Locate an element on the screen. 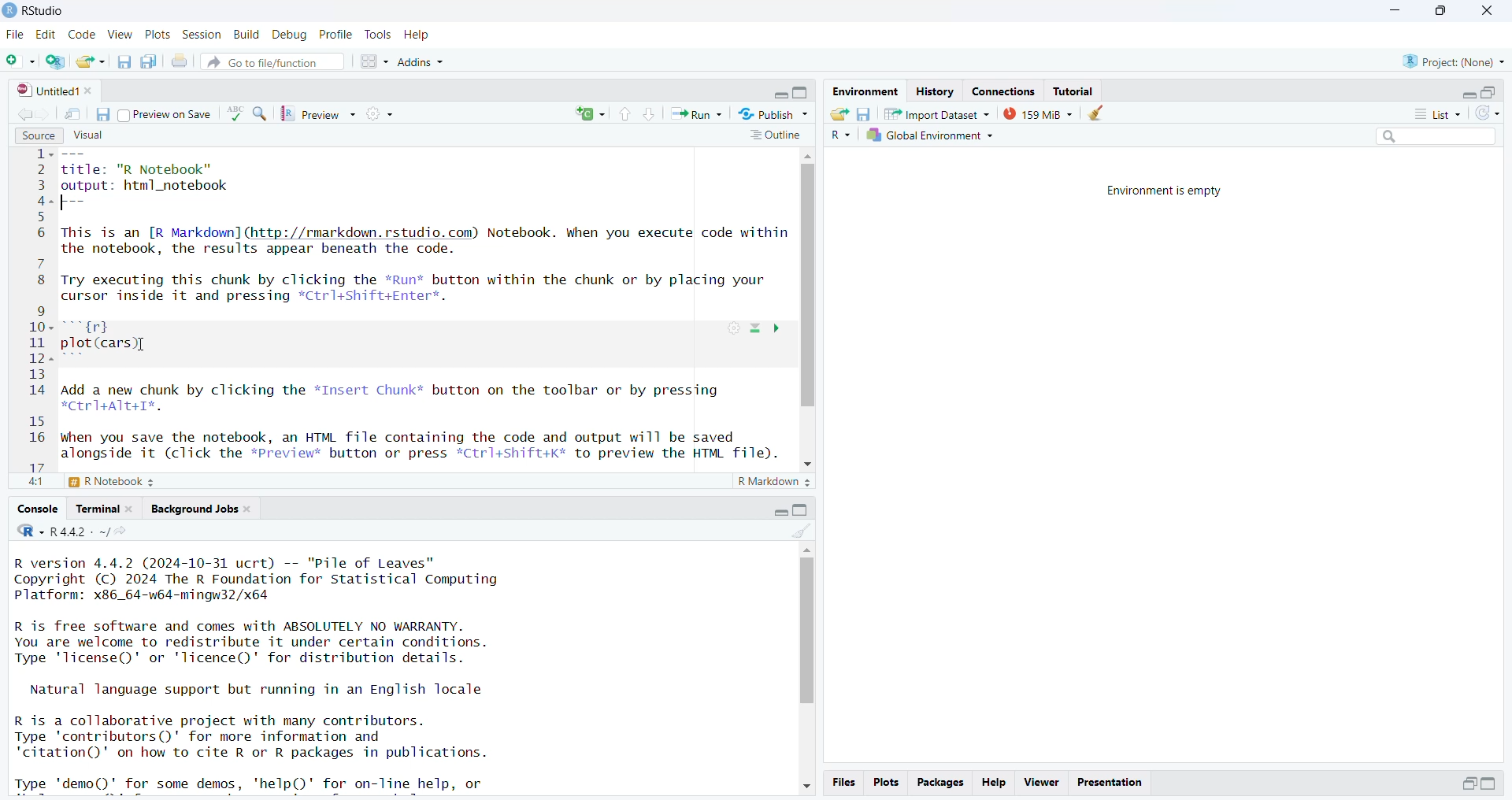 The height and width of the screenshot is (800, 1512). Console log is located at coordinates (275, 671).